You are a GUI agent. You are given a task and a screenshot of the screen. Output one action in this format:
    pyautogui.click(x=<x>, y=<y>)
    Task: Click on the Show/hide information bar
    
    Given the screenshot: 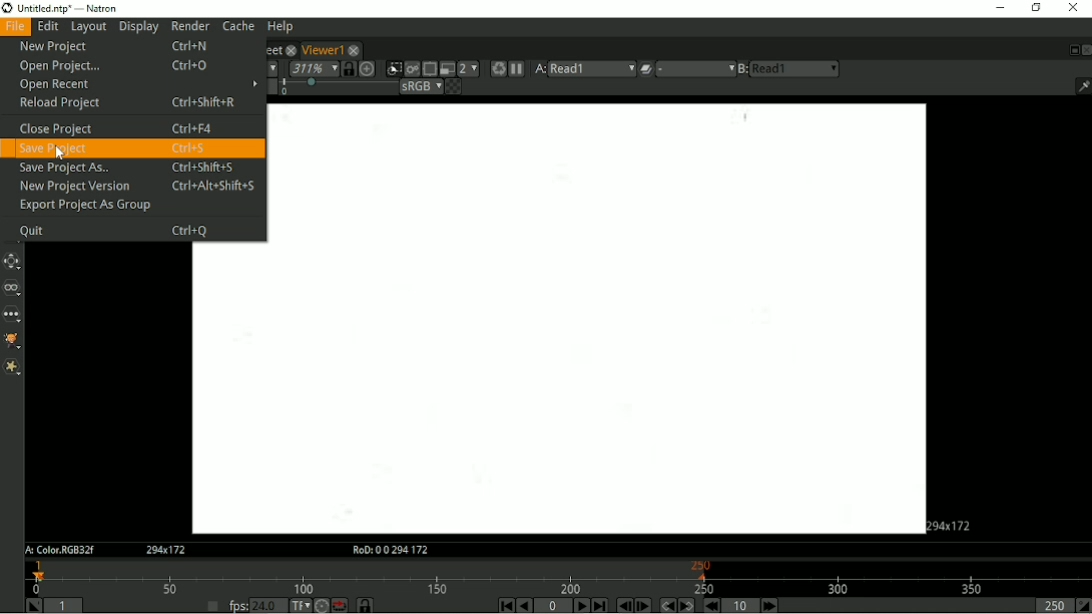 What is the action you would take?
    pyautogui.click(x=1082, y=87)
    